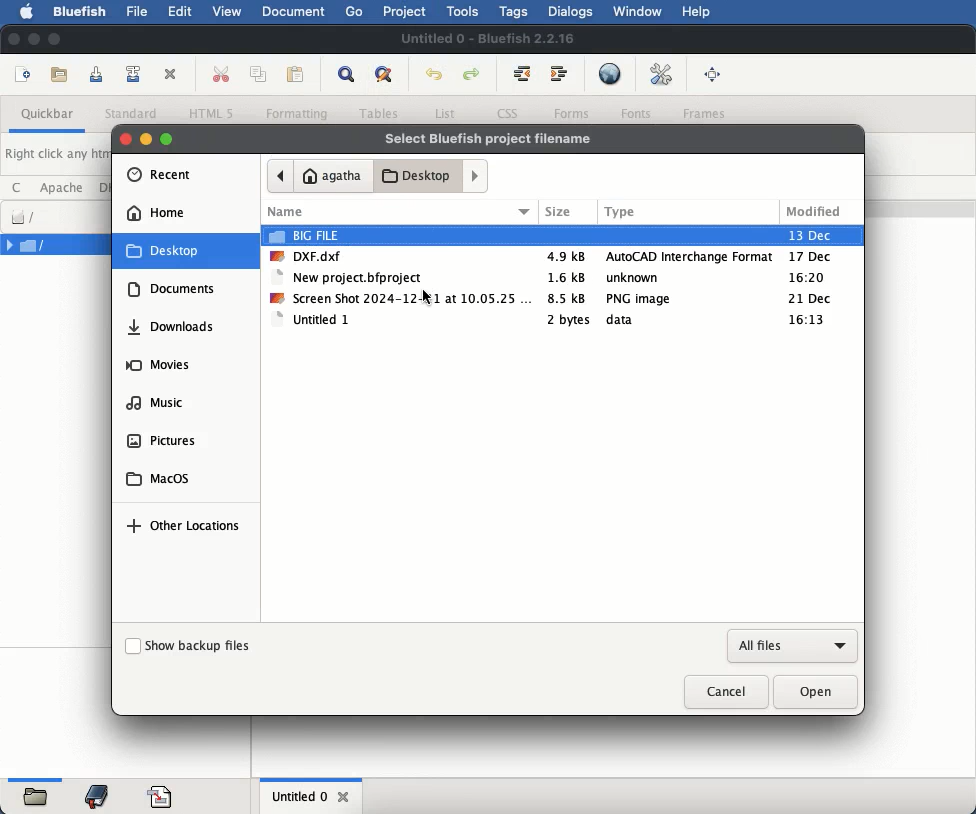  What do you see at coordinates (697, 12) in the screenshot?
I see `help` at bounding box center [697, 12].